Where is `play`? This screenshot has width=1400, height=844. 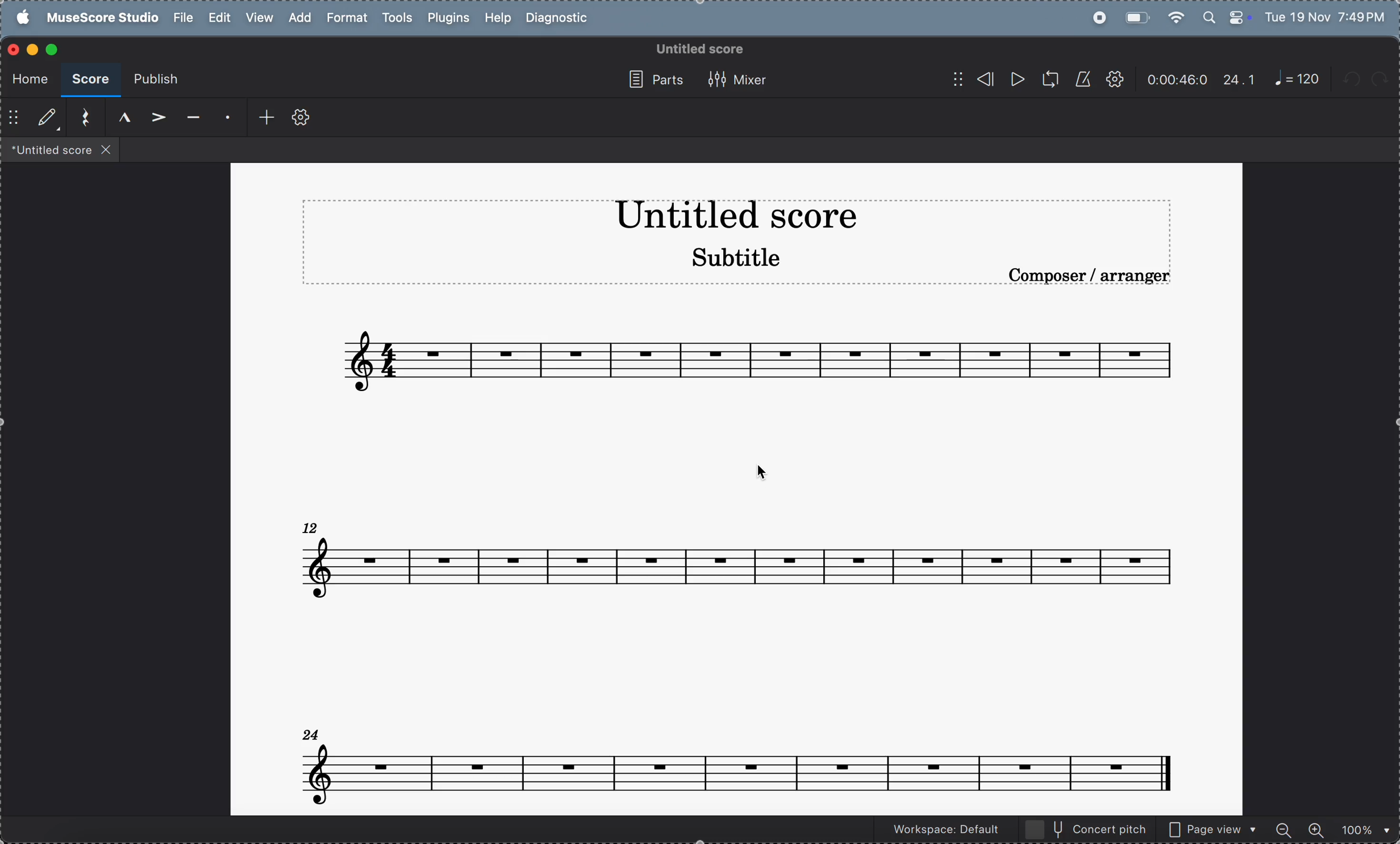
play is located at coordinates (1016, 81).